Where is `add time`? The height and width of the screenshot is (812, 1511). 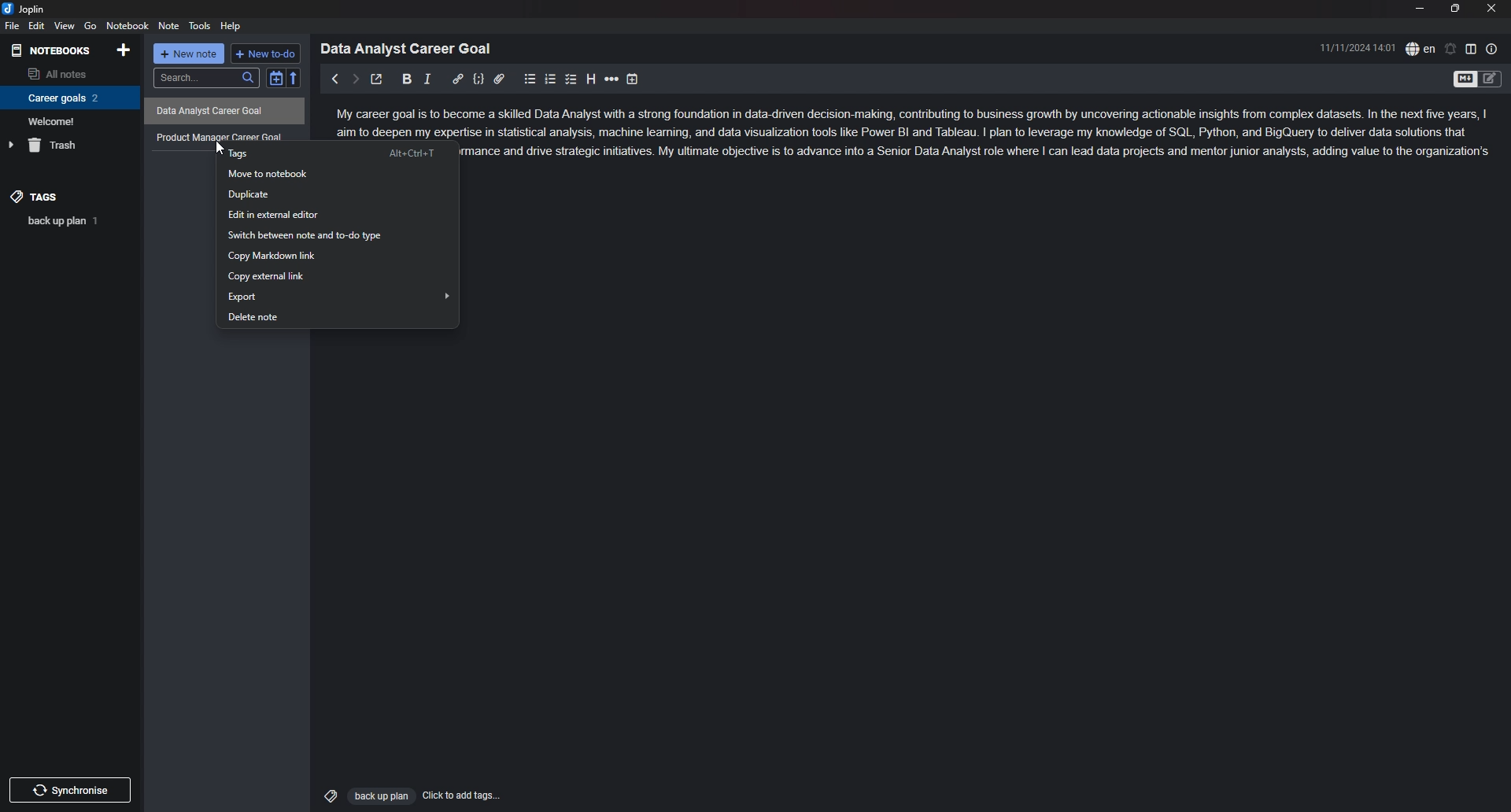
add time is located at coordinates (633, 79).